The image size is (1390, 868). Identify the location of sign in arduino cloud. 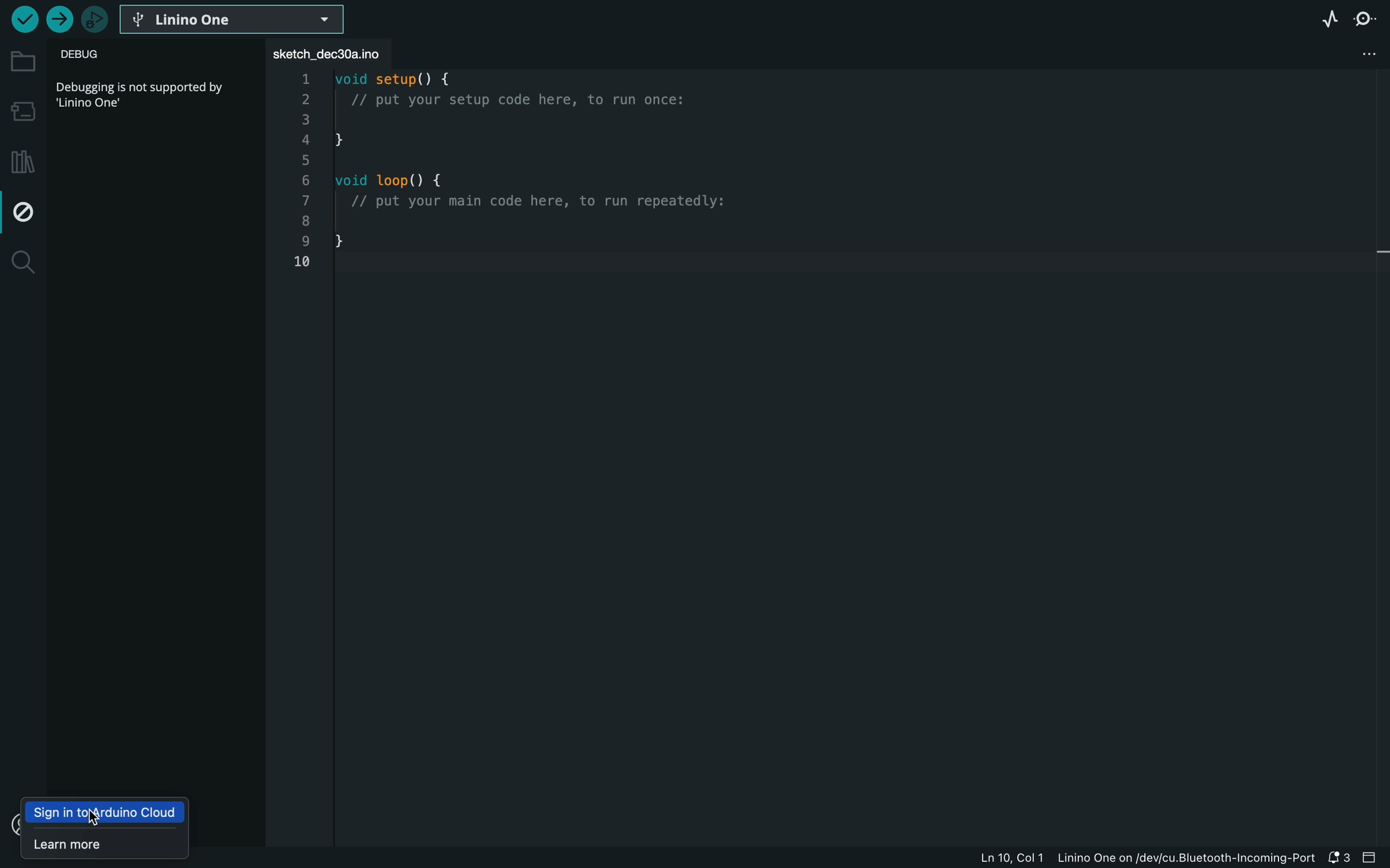
(107, 815).